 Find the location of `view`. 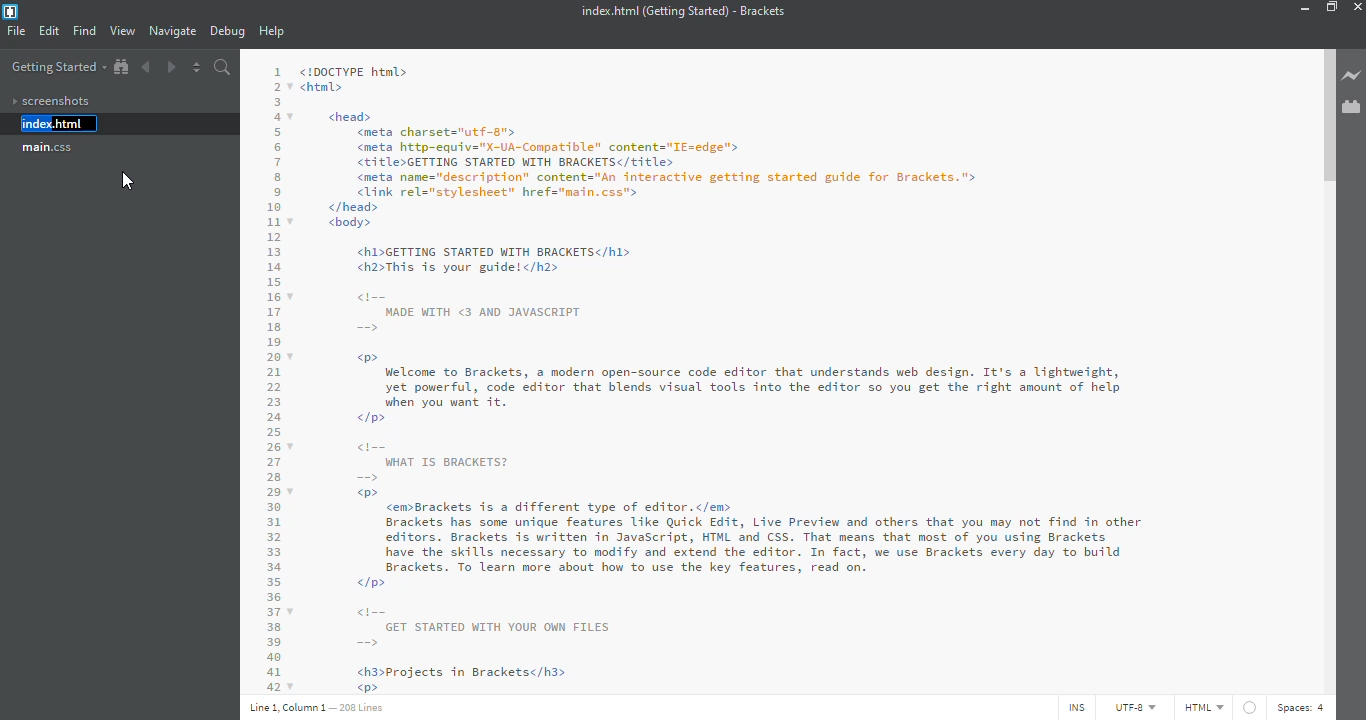

view is located at coordinates (122, 31).